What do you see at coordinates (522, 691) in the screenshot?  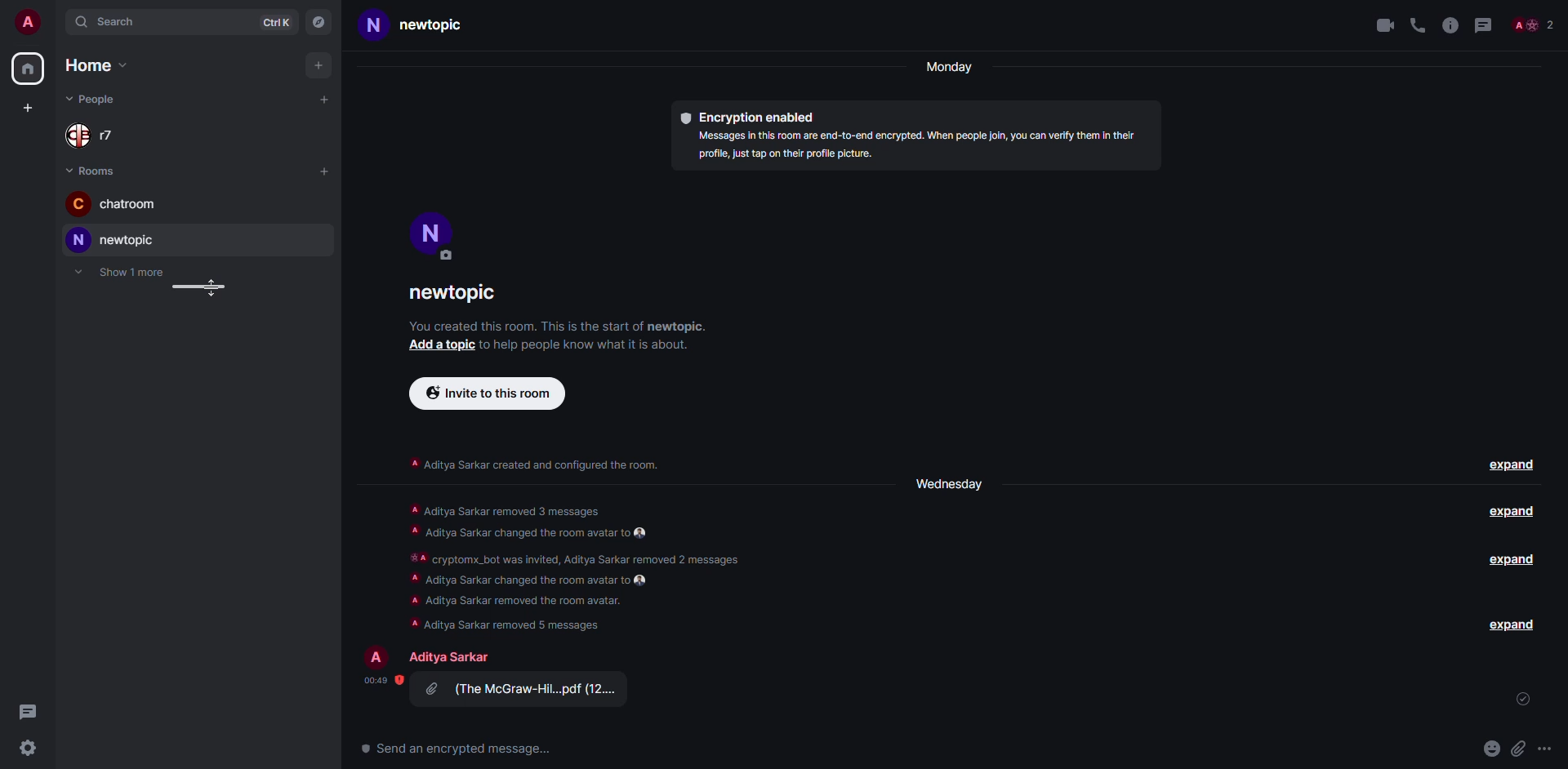 I see `file` at bounding box center [522, 691].